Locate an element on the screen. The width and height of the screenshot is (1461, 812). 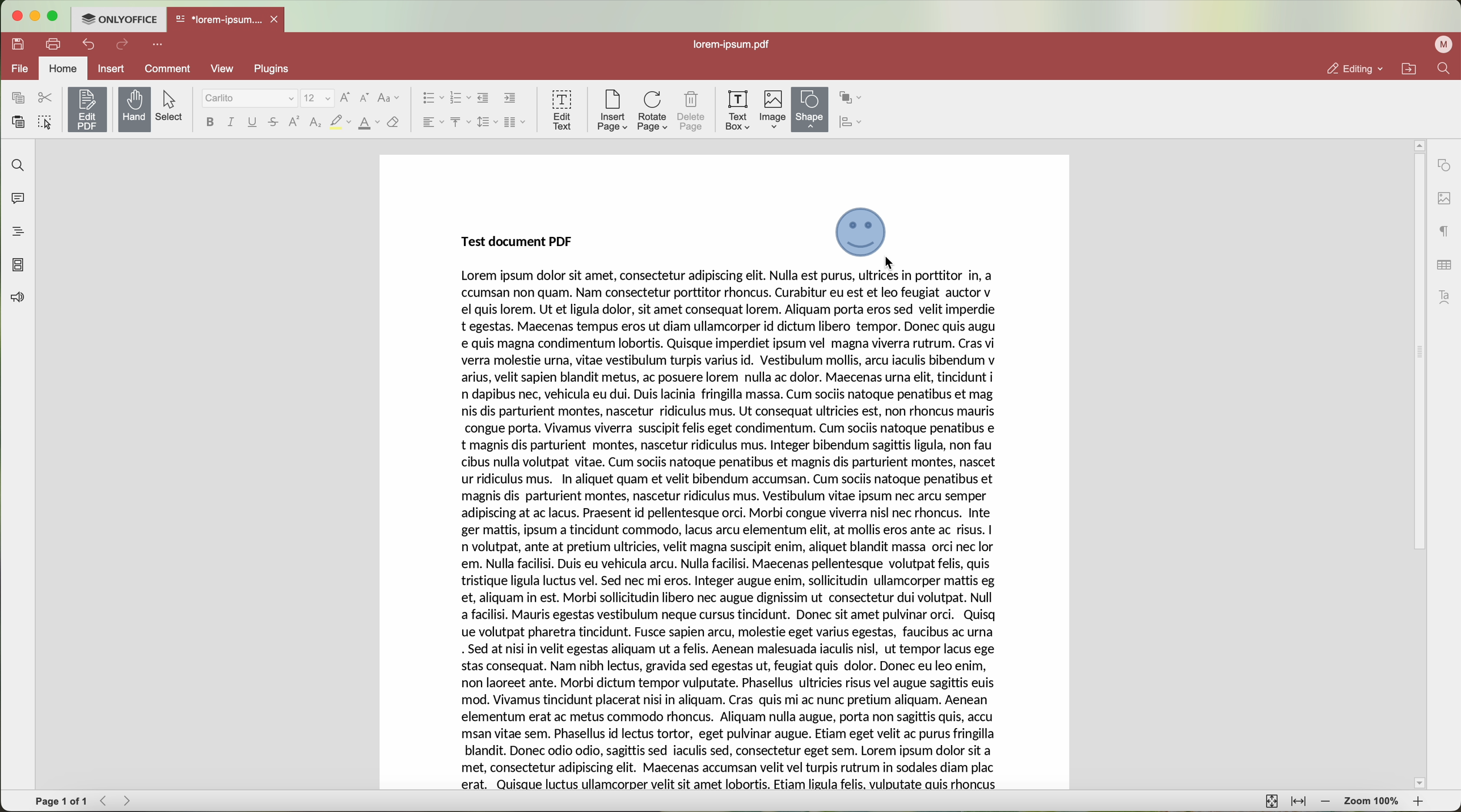
bullets is located at coordinates (432, 99).